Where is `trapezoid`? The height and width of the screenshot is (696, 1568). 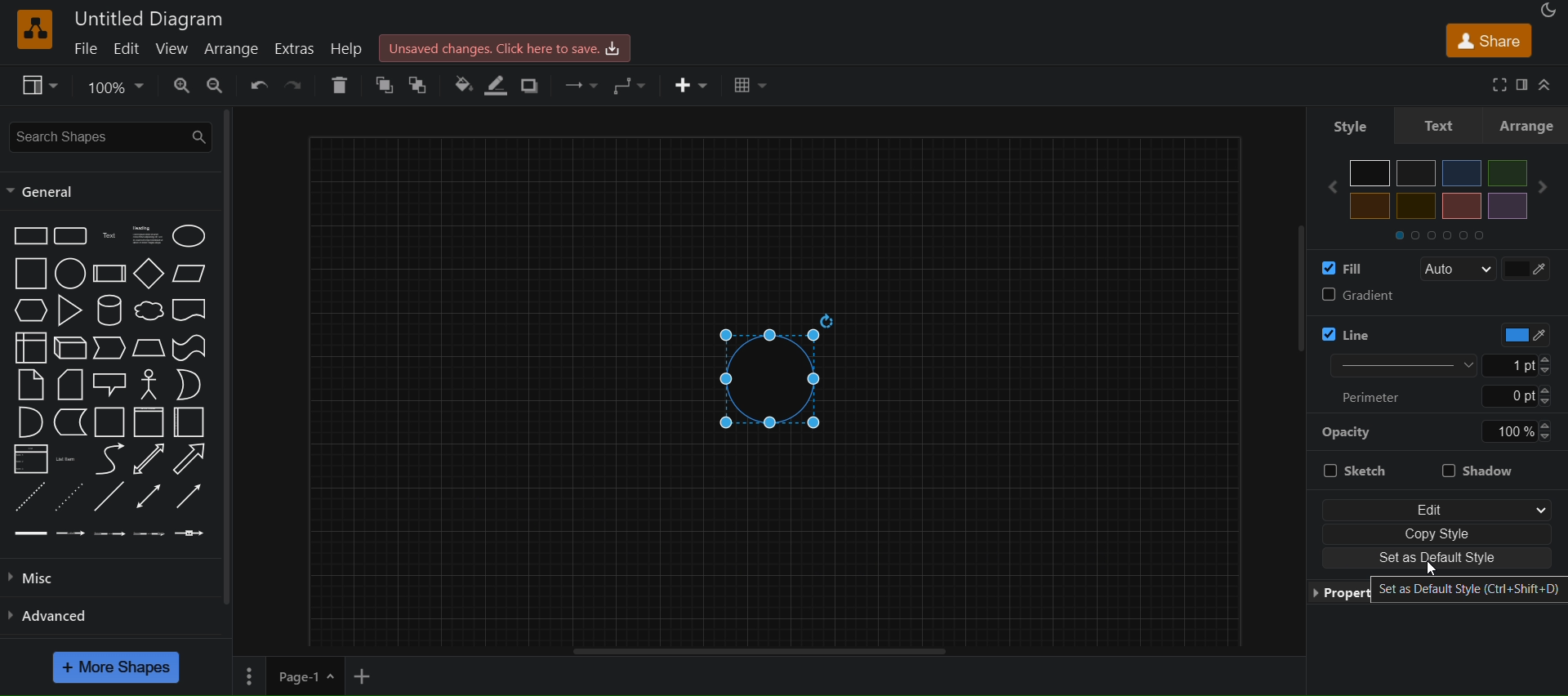 trapezoid is located at coordinates (149, 348).